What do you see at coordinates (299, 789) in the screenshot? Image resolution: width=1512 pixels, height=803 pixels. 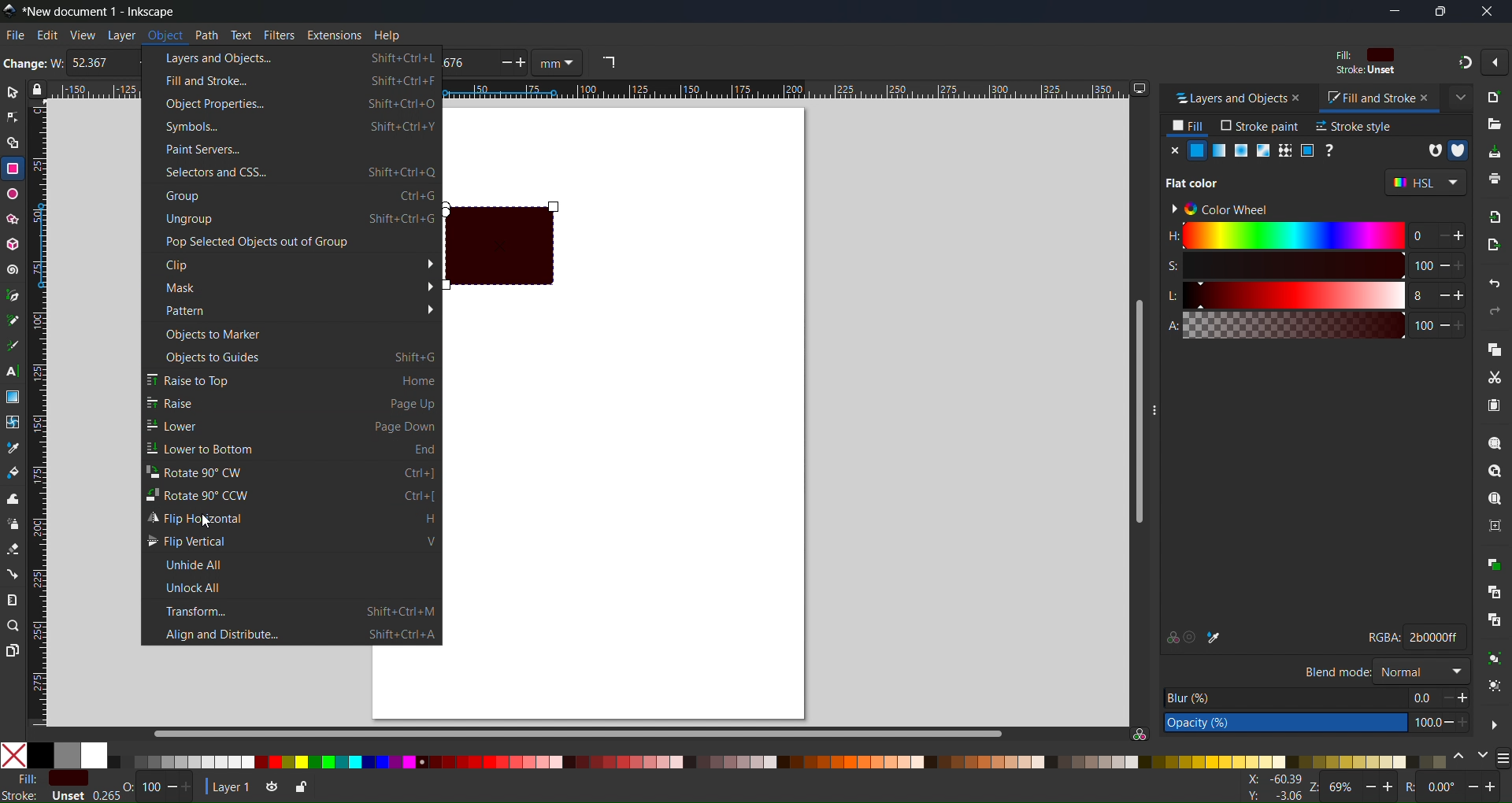 I see `Lock or unlock current layer` at bounding box center [299, 789].